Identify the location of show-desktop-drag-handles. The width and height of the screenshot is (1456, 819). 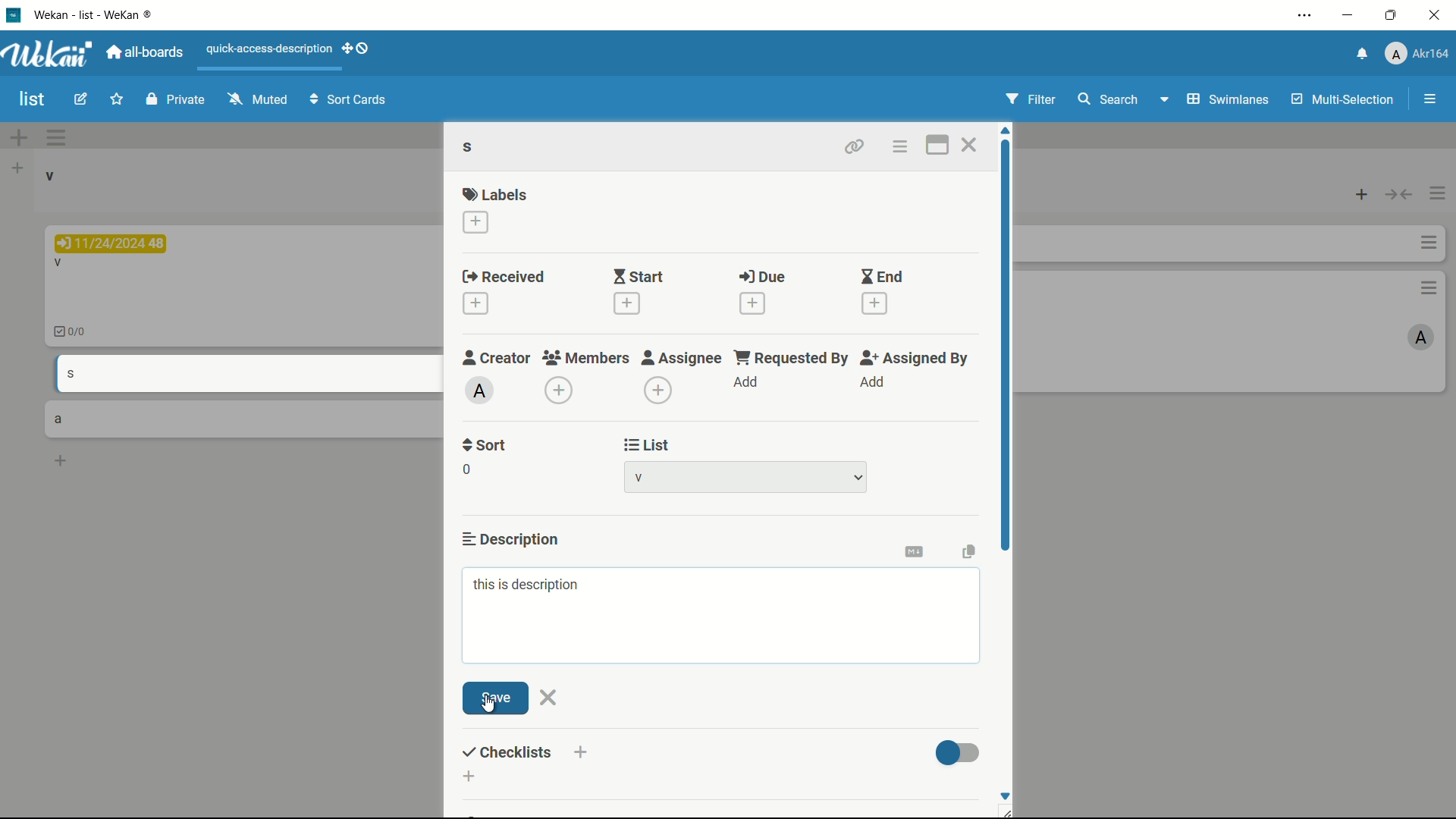
(357, 48).